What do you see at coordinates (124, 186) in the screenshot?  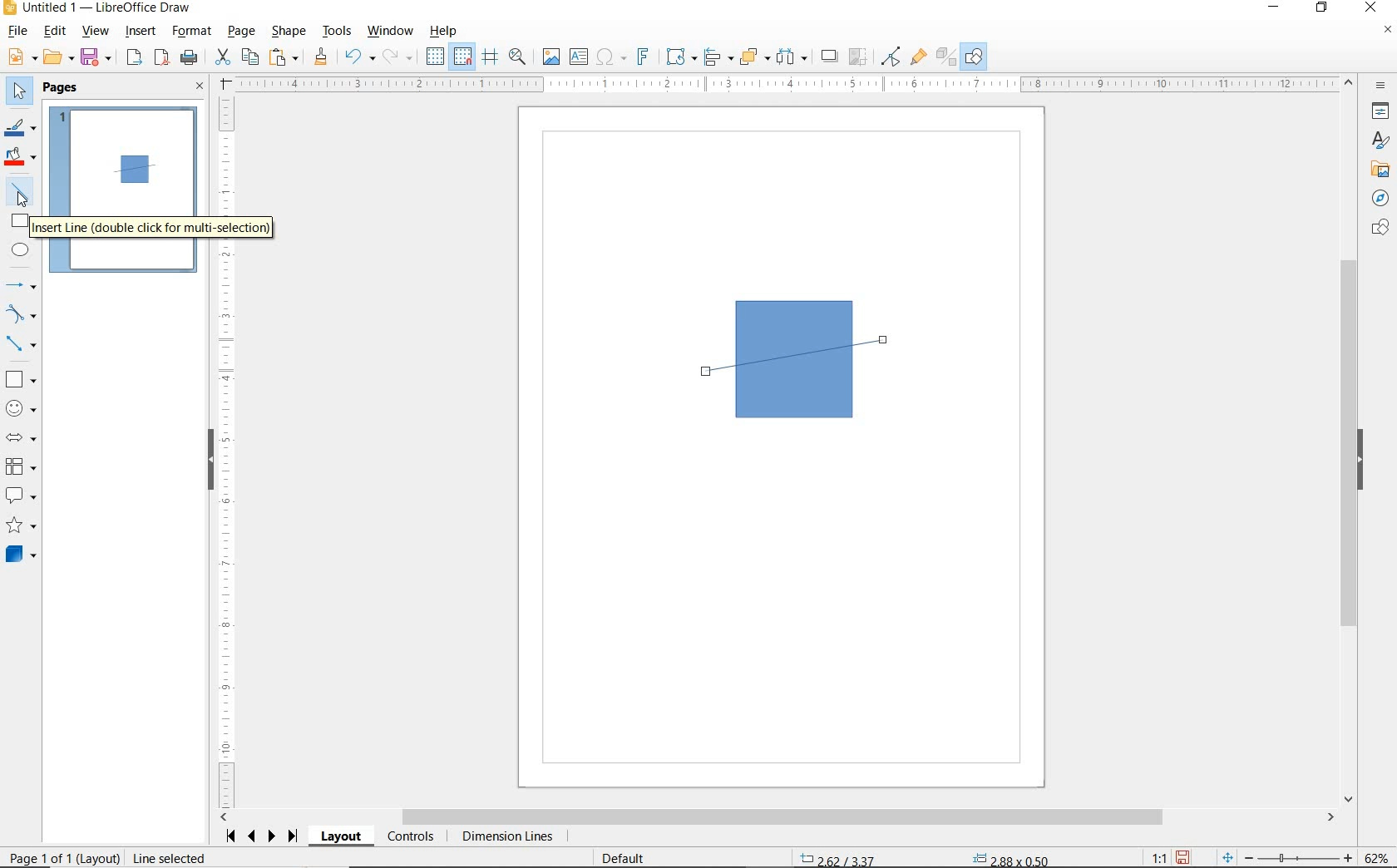 I see `INSERT LINE` at bounding box center [124, 186].